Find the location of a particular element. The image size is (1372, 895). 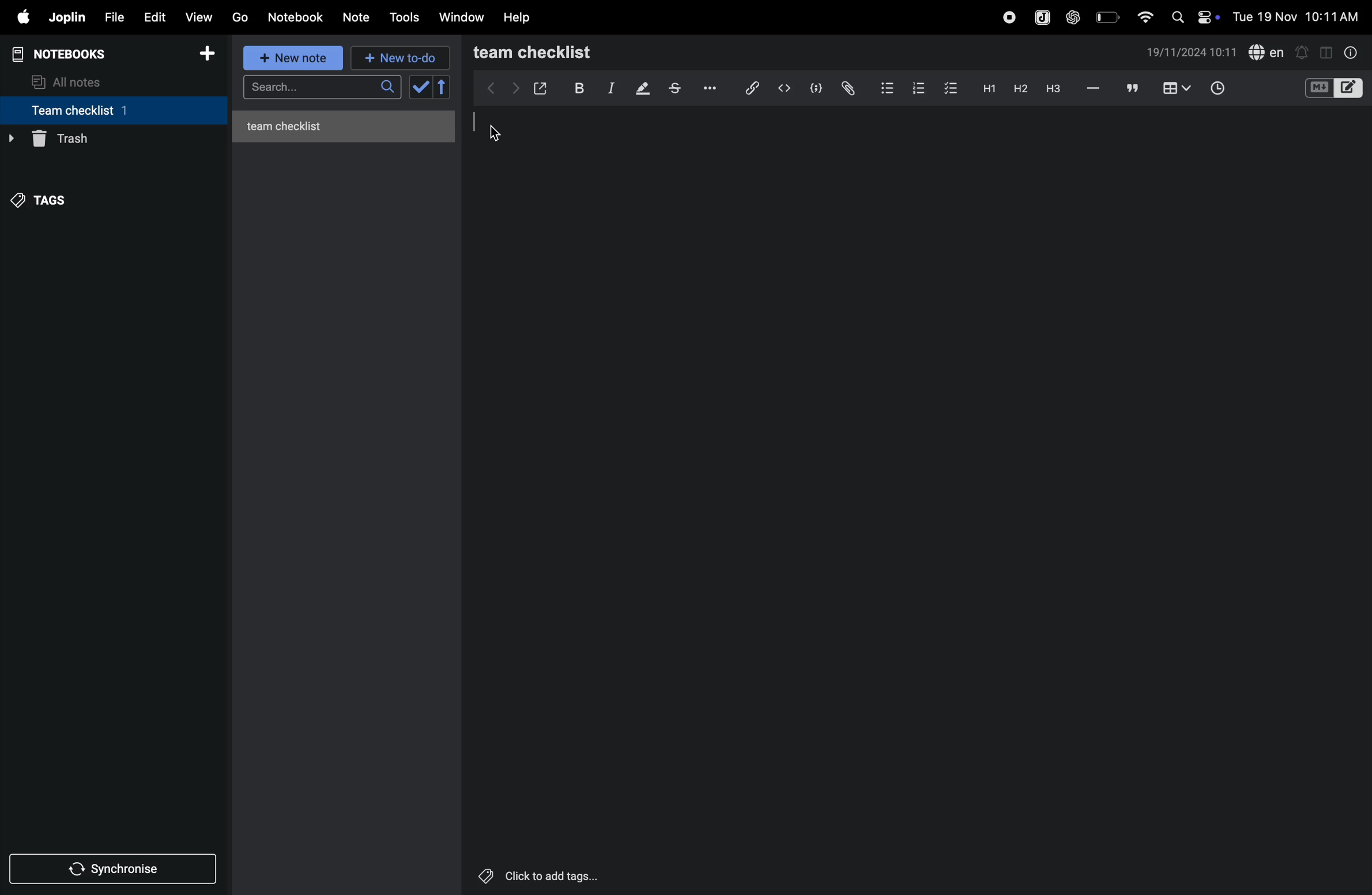

help is located at coordinates (520, 17).